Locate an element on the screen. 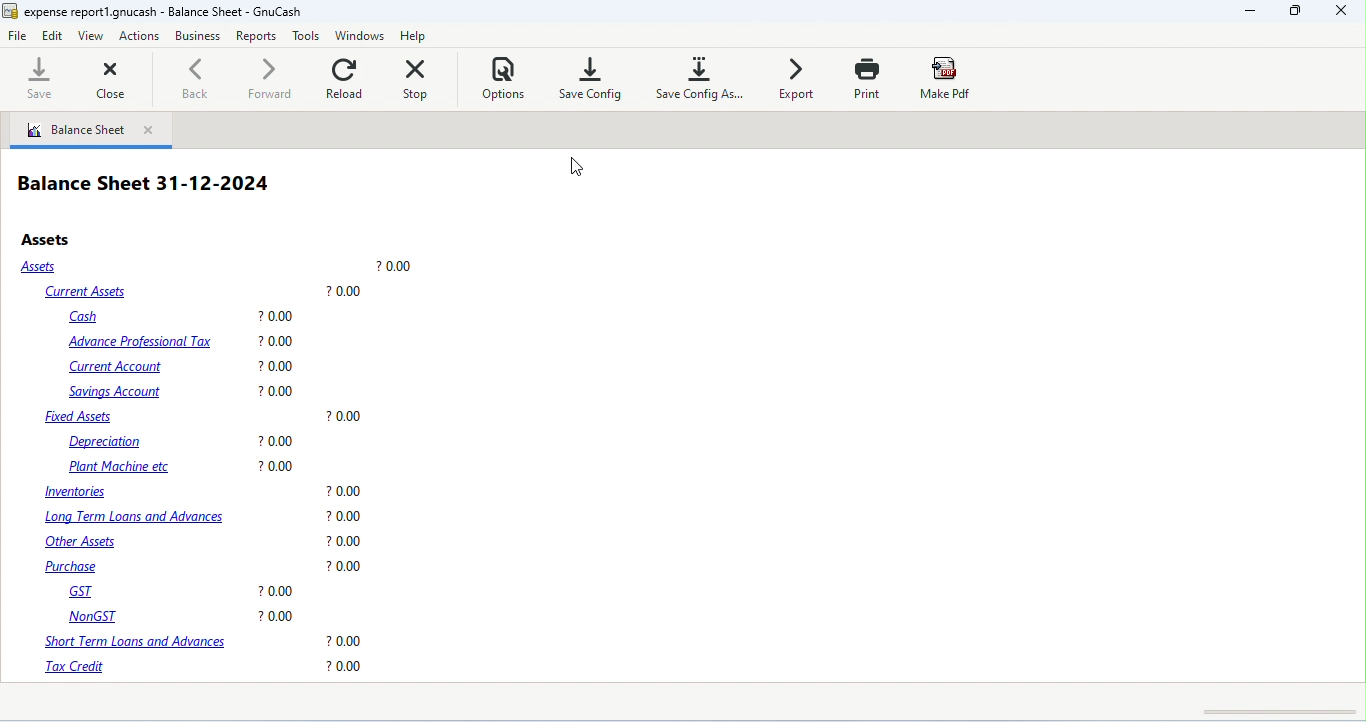 This screenshot has width=1366, height=722. long term loan and advances is located at coordinates (201, 516).